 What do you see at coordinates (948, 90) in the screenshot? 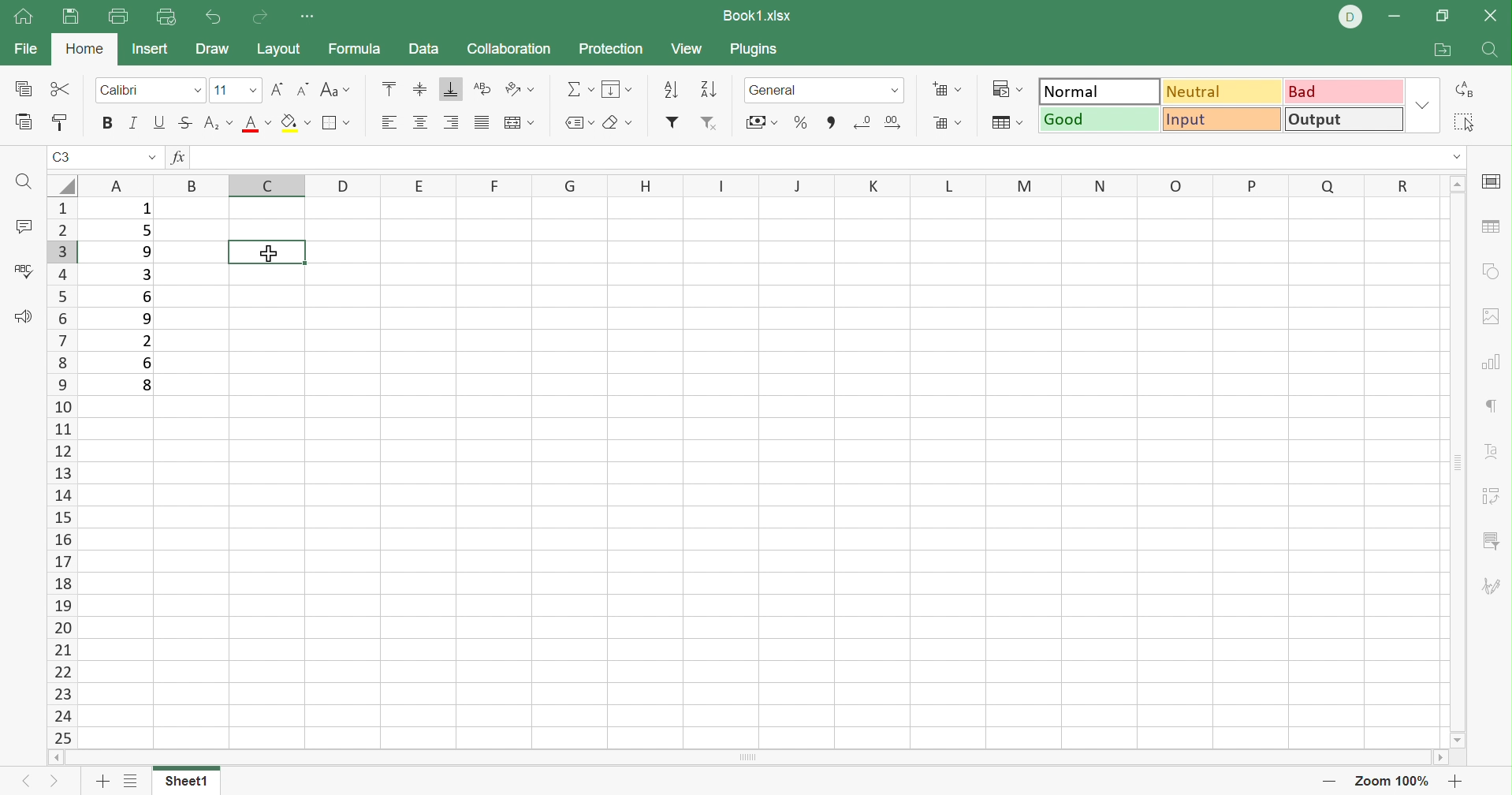
I see `Insert cells` at bounding box center [948, 90].